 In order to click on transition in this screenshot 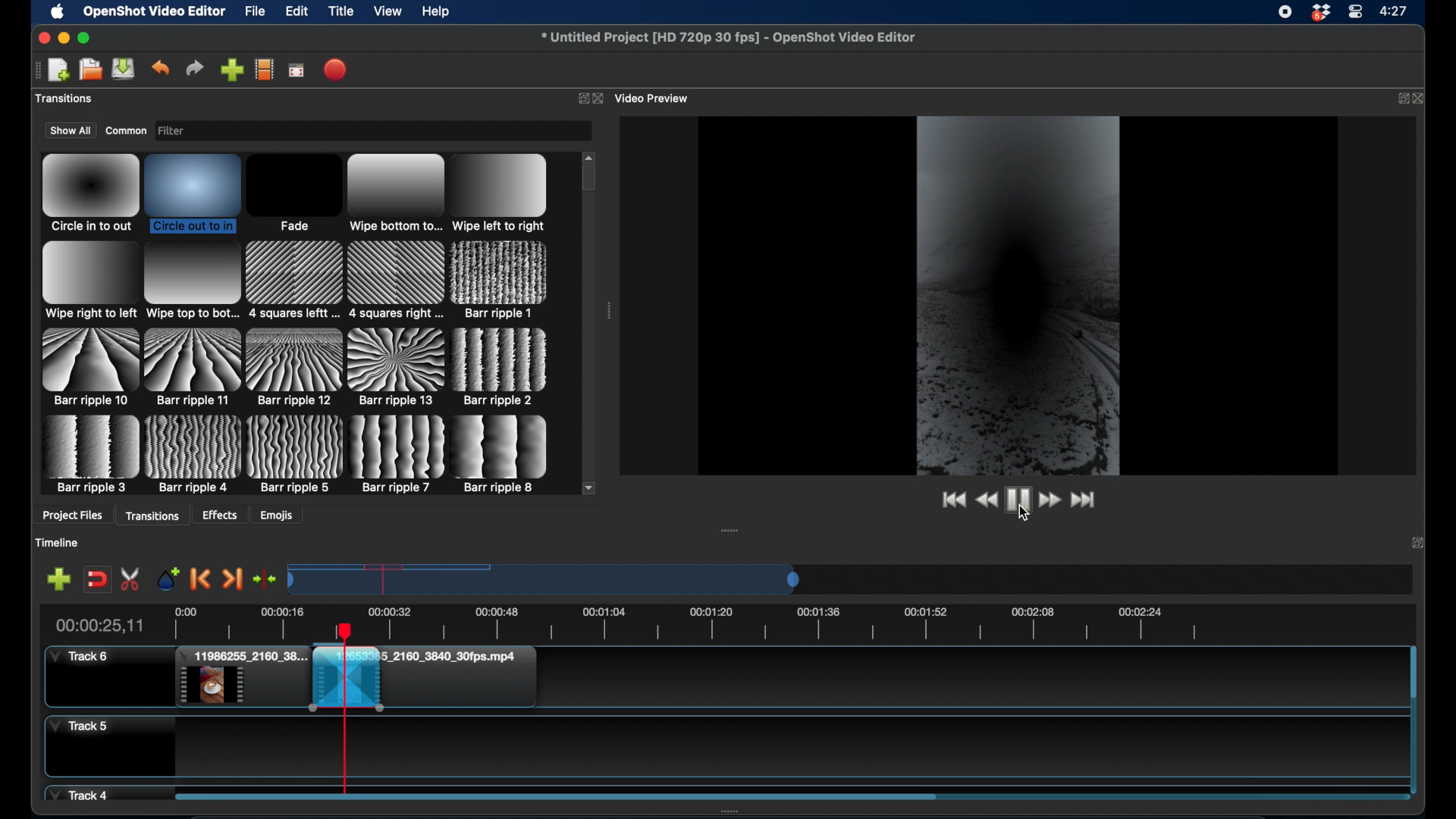, I will do `click(295, 453)`.